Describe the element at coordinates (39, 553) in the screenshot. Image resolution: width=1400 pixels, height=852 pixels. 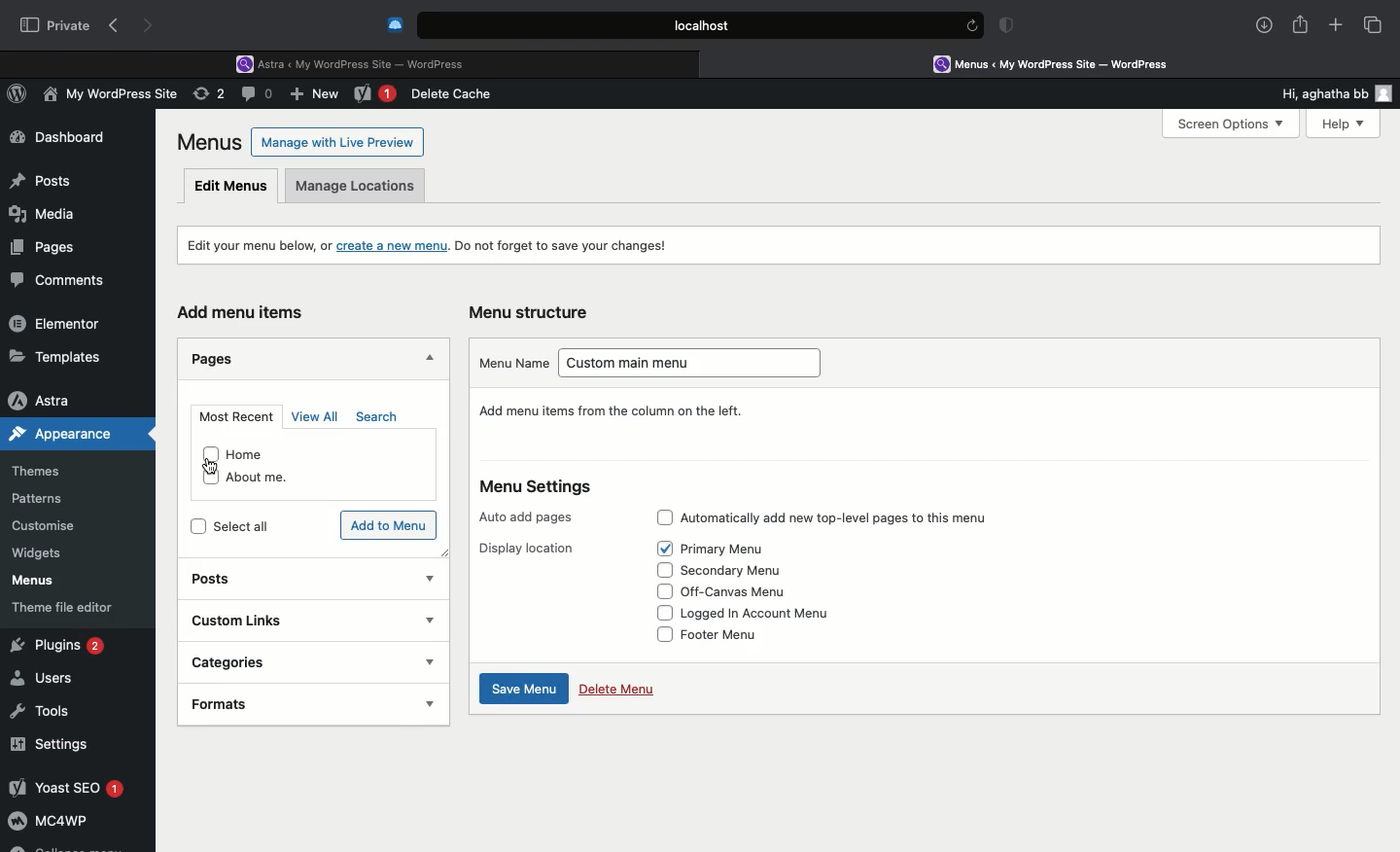
I see `Widgets` at that location.